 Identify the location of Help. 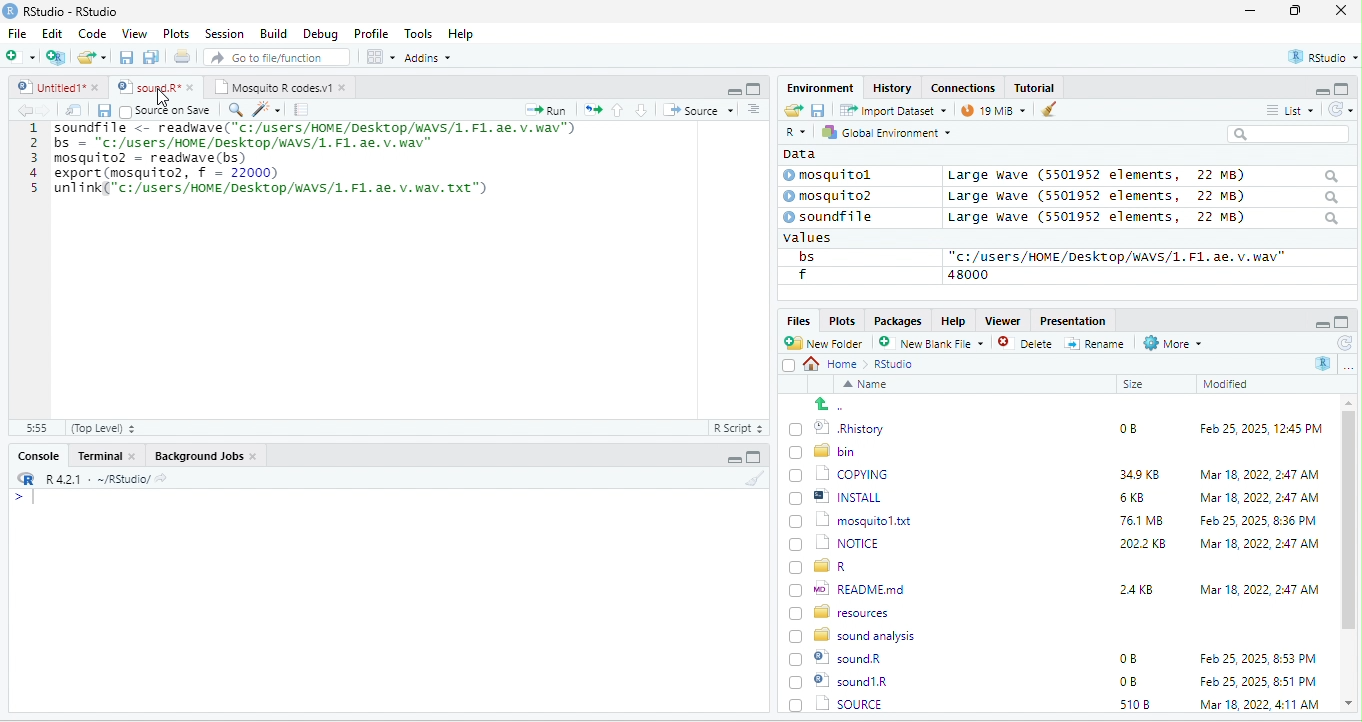
(462, 35).